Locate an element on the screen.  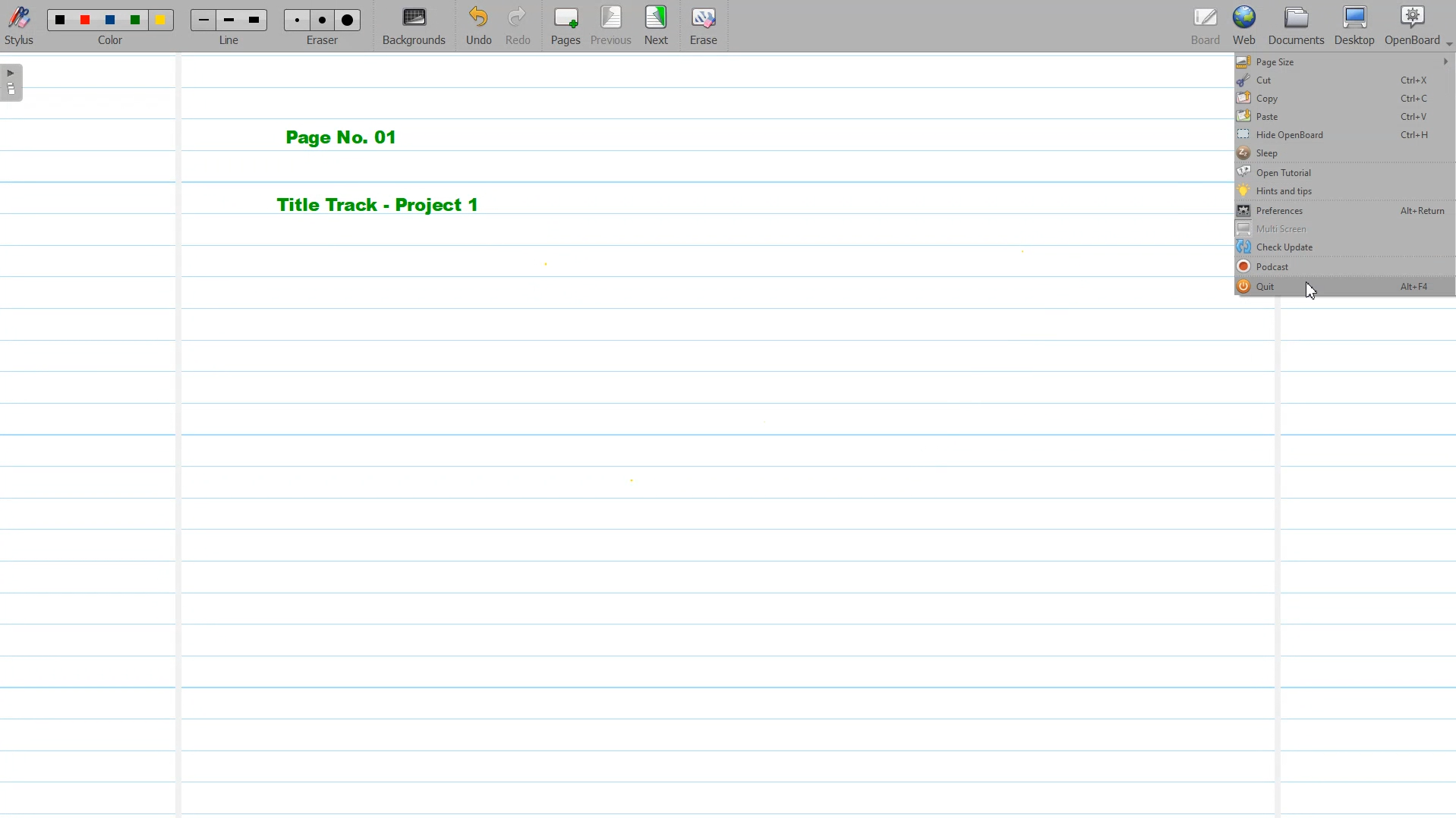
Quit is located at coordinates (1346, 287).